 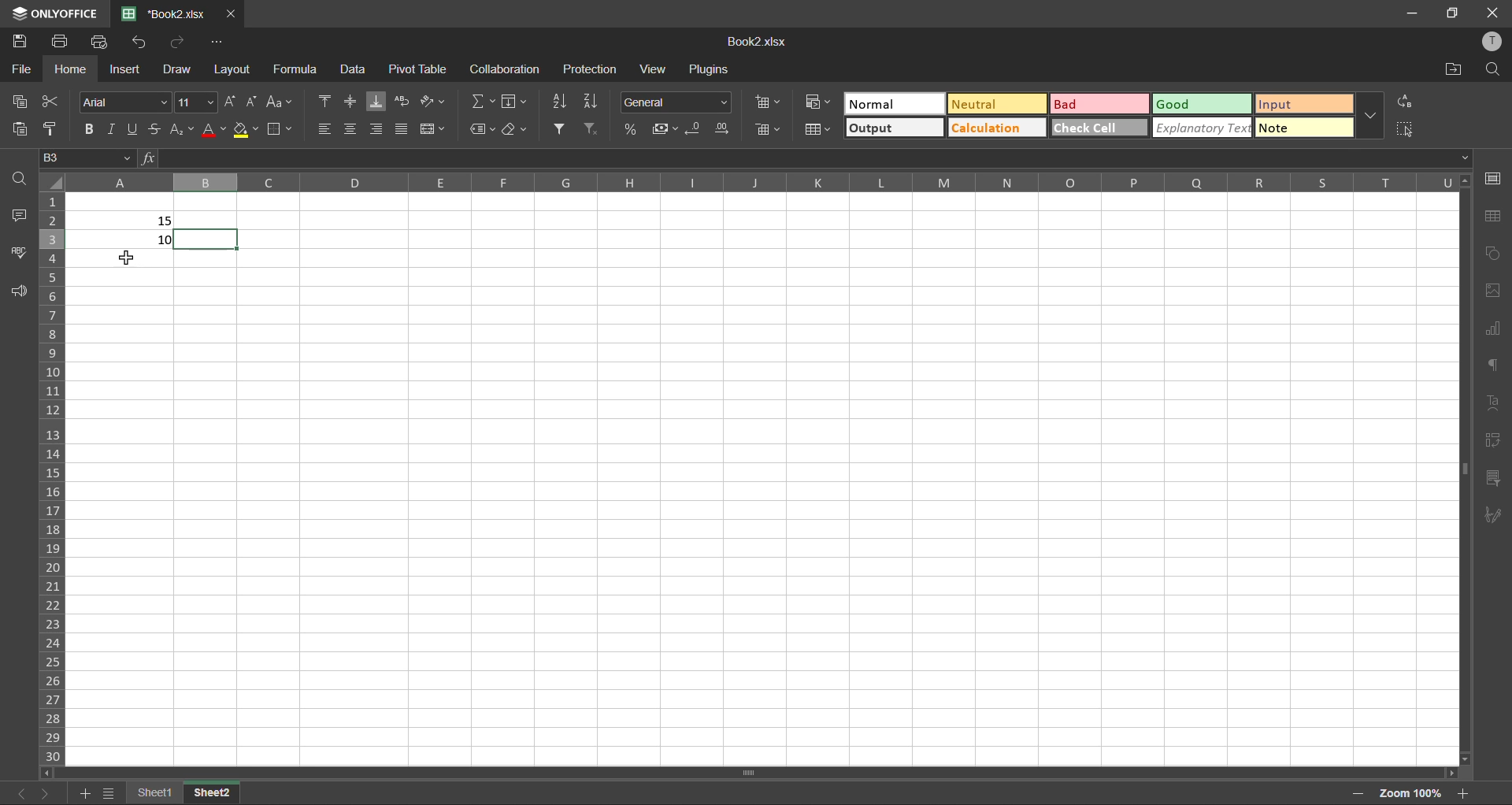 I want to click on change case, so click(x=277, y=101).